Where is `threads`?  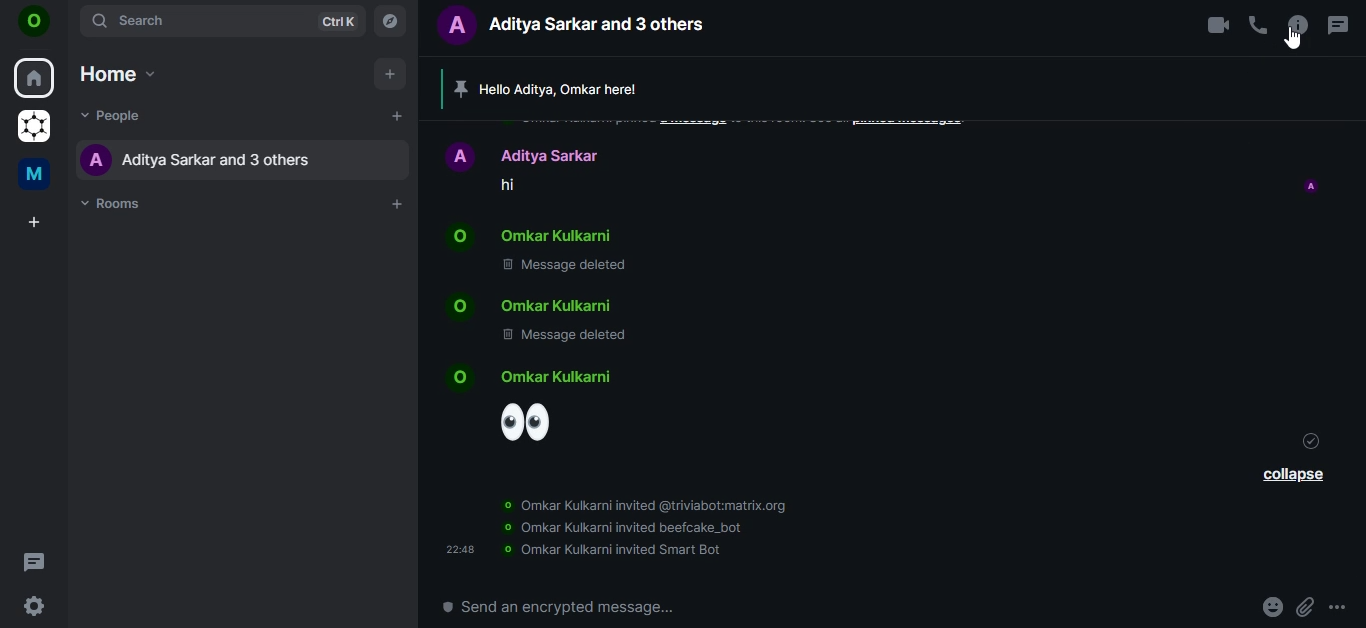
threads is located at coordinates (34, 561).